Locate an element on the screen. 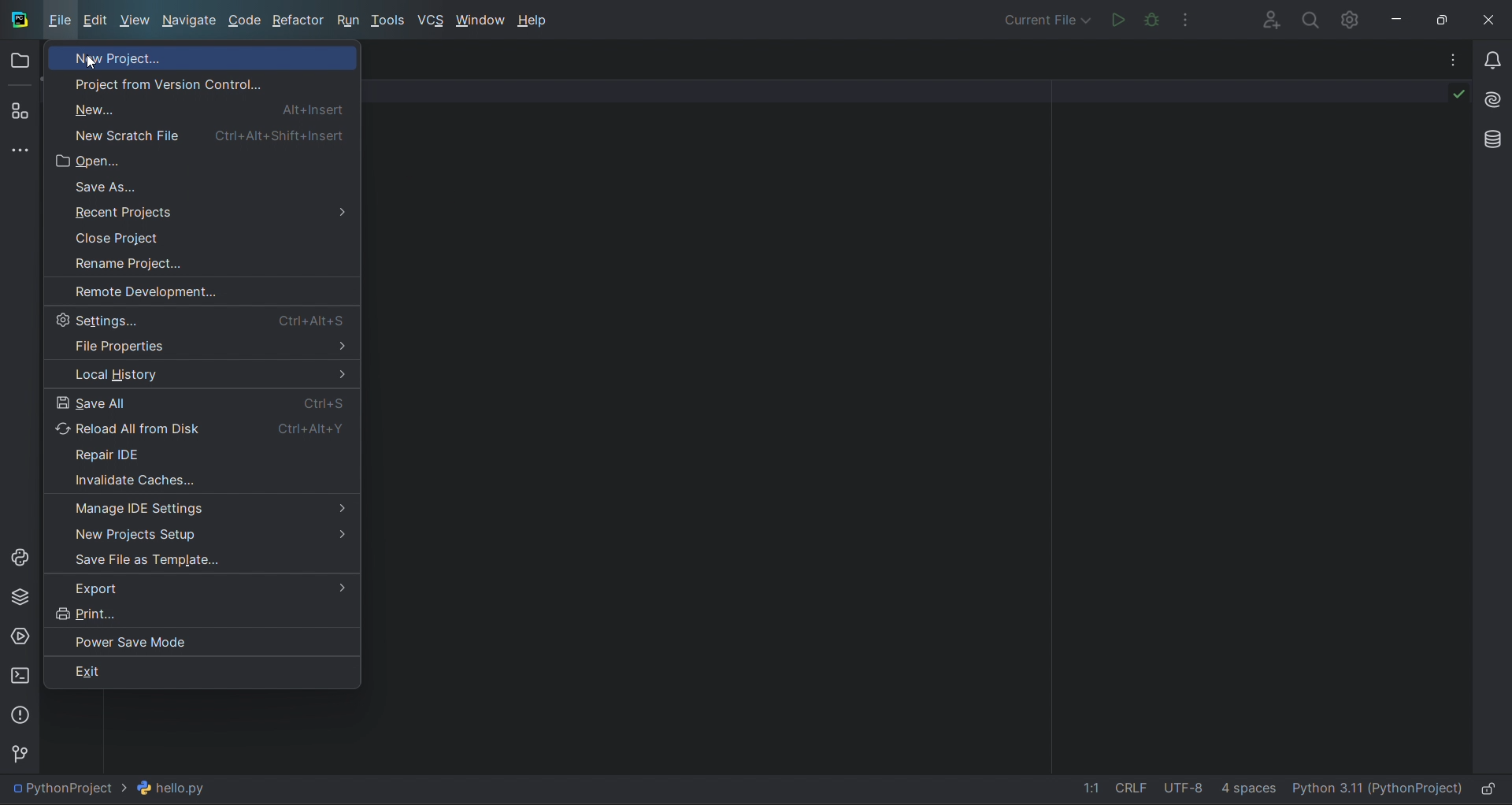 The width and height of the screenshot is (1512, 805). file is located at coordinates (61, 19).